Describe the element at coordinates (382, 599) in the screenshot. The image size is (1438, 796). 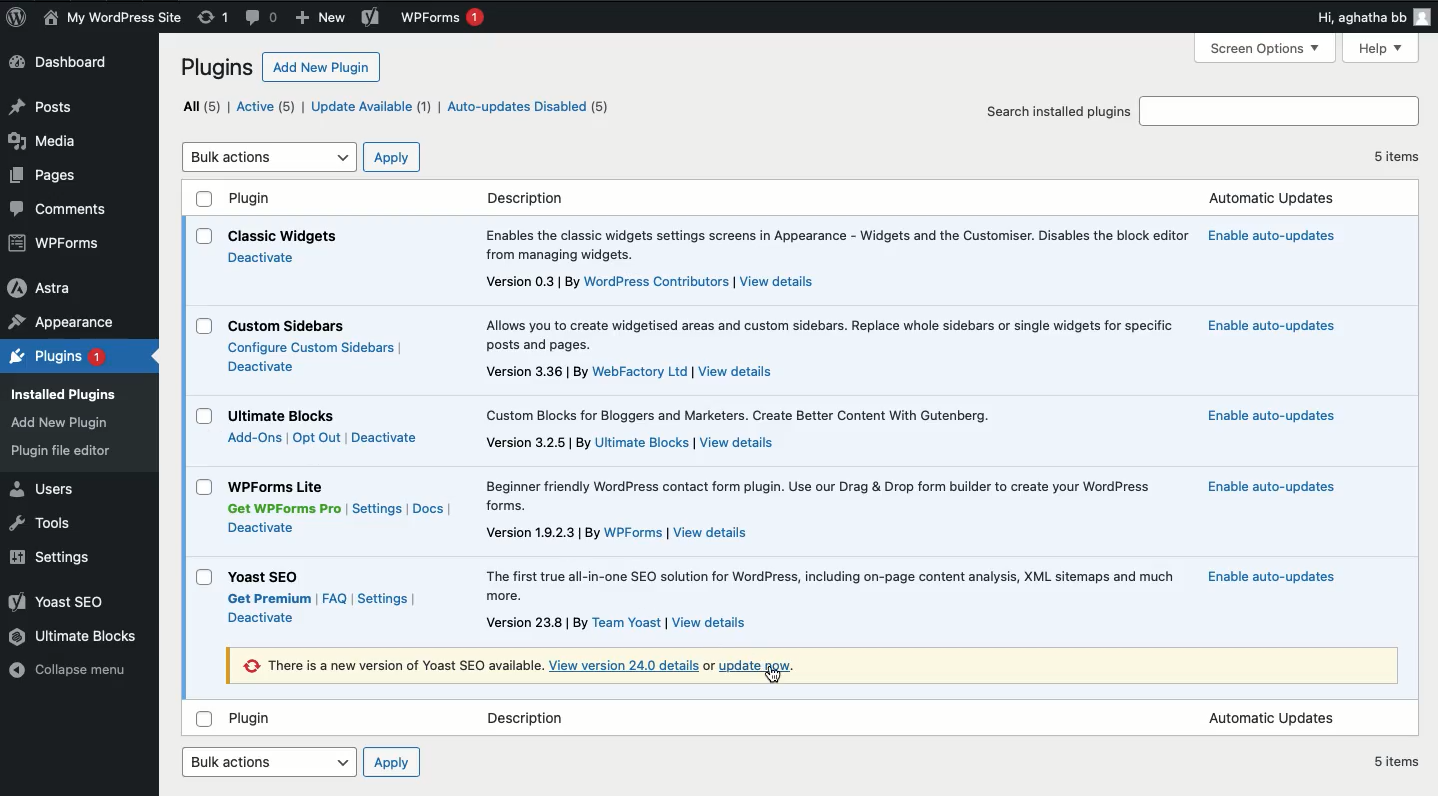
I see `Settings` at that location.